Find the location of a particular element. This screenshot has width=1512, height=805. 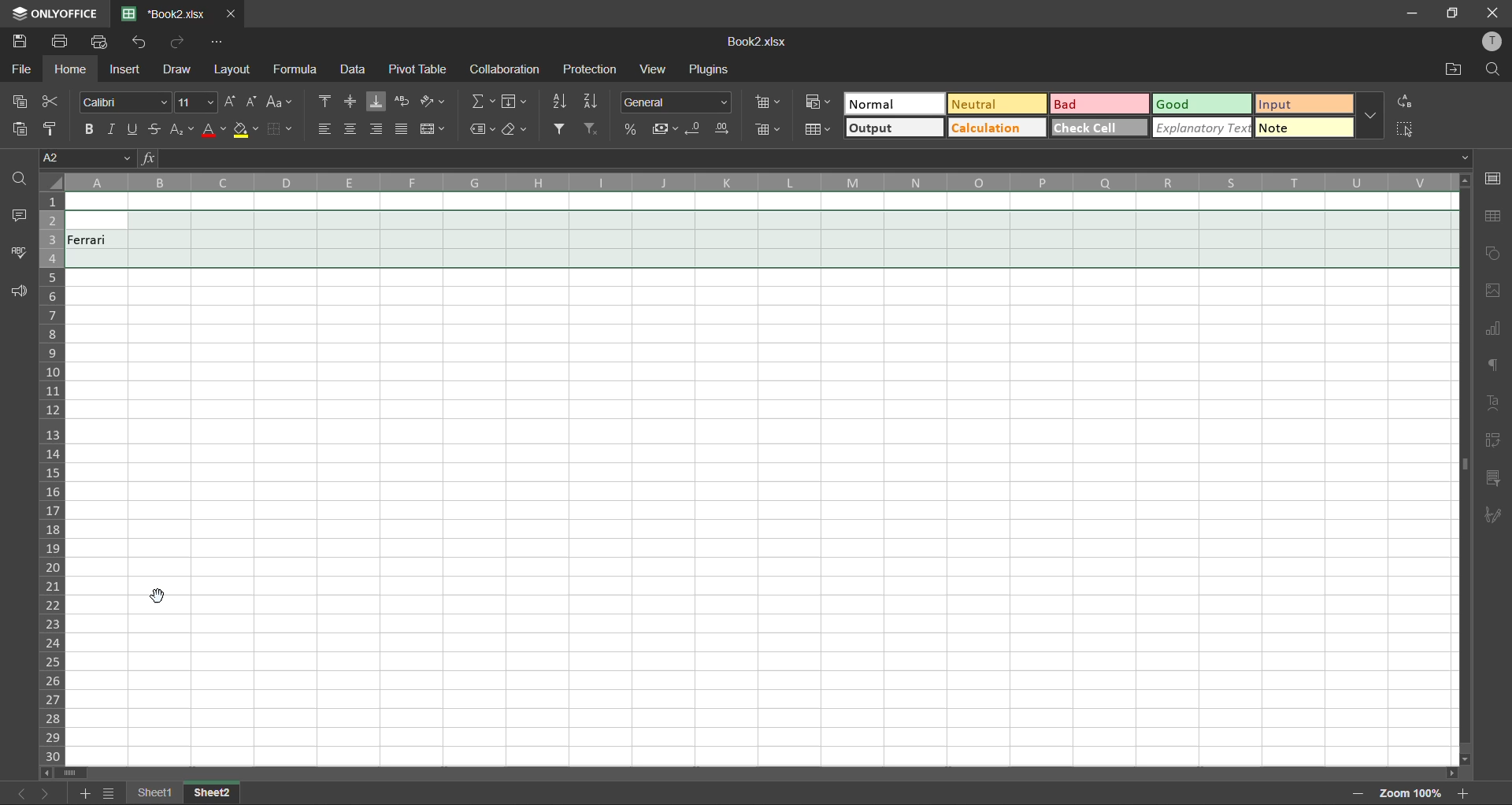

clear is located at coordinates (517, 129).